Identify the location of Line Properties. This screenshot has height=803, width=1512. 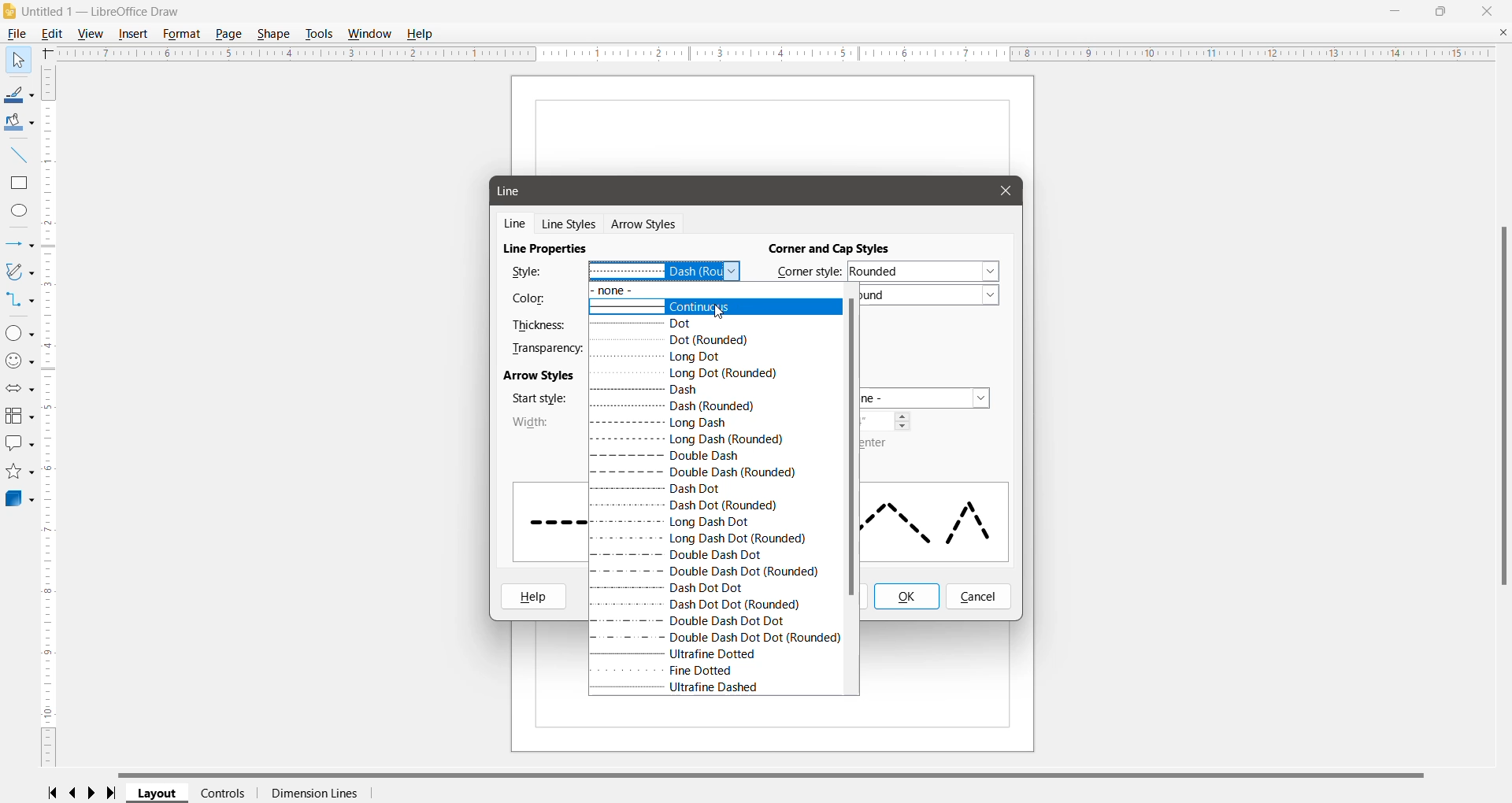
(549, 248).